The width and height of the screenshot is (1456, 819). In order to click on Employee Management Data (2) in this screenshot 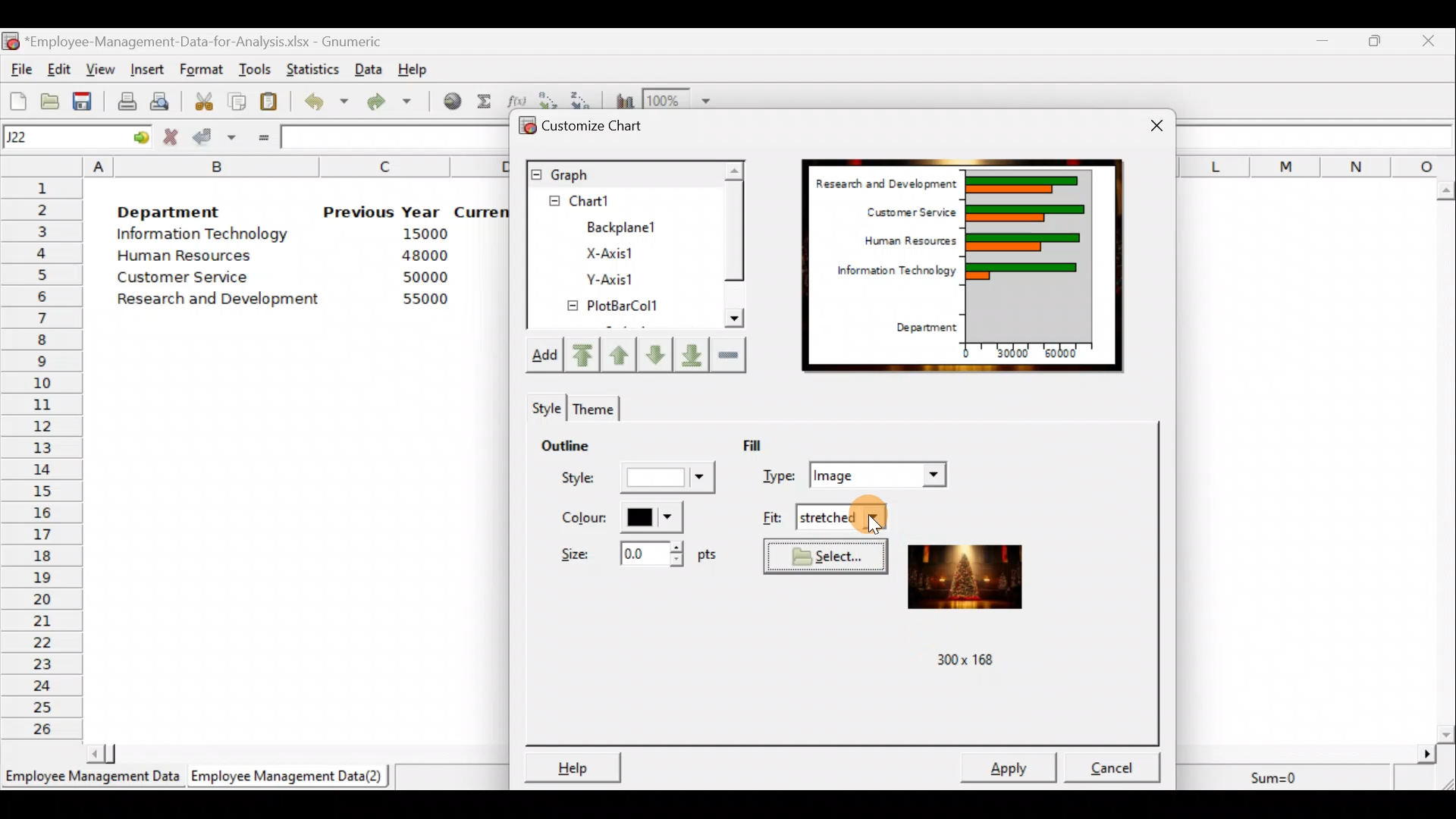, I will do `click(290, 774)`.